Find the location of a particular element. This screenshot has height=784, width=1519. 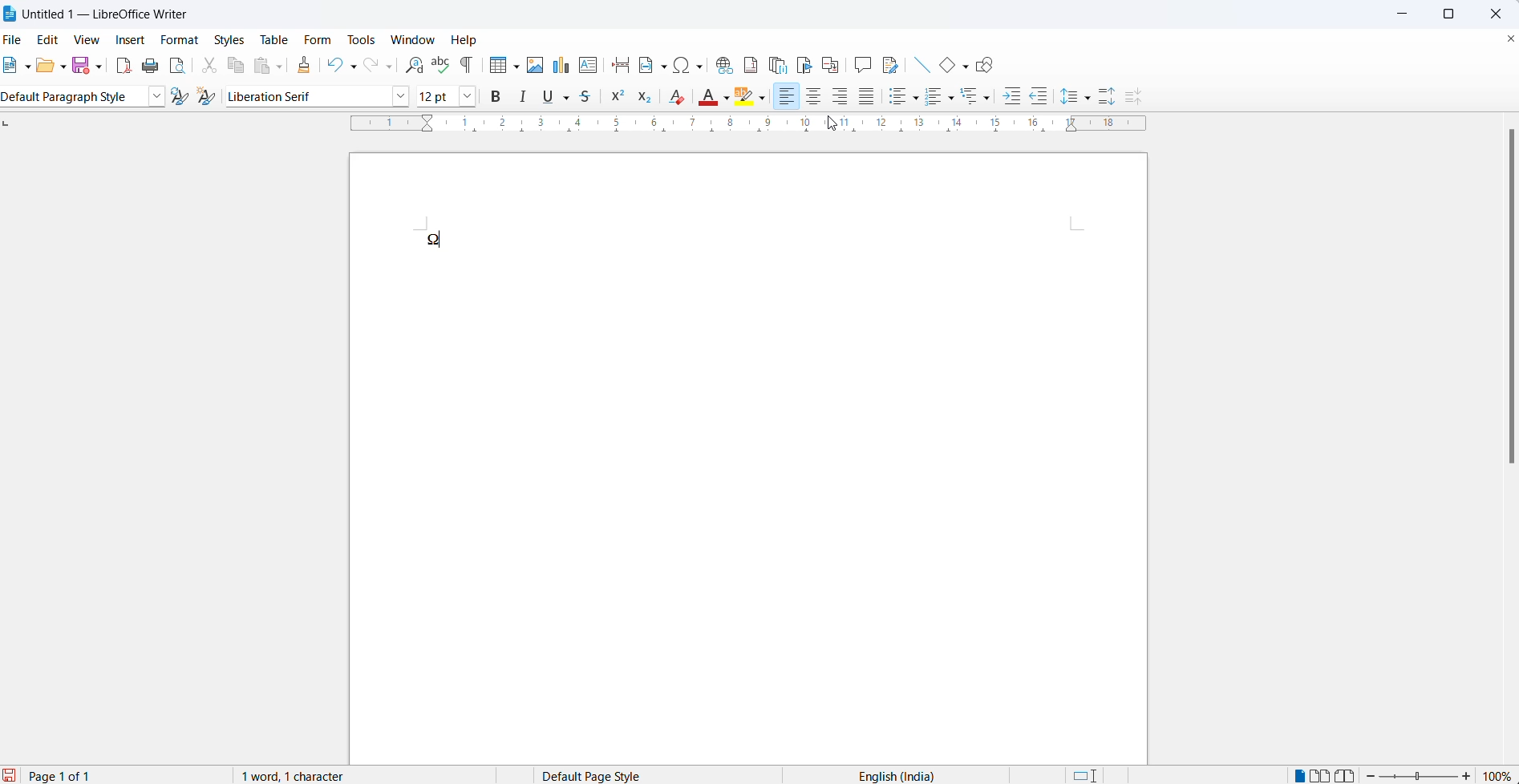

Untitled 1 — LibreOffice Writer is located at coordinates (121, 15).